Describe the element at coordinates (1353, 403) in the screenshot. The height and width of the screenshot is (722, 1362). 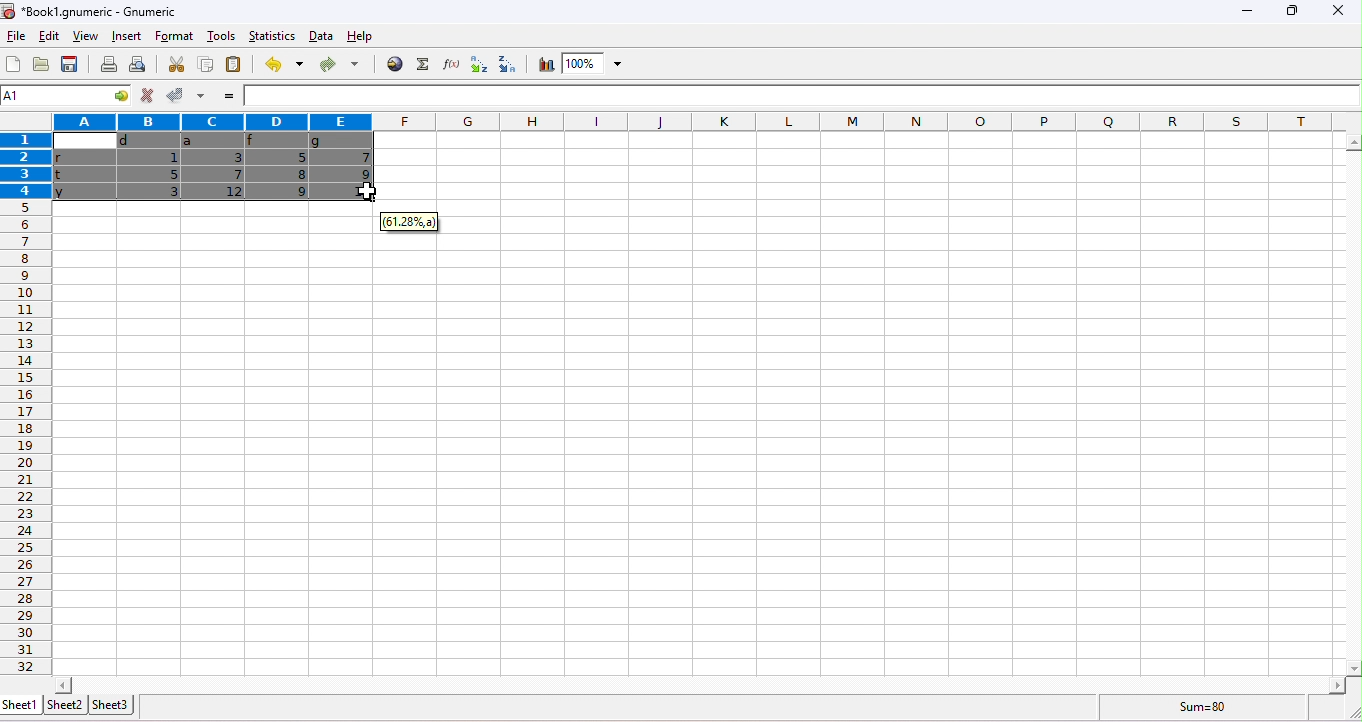
I see `vertical slider` at that location.